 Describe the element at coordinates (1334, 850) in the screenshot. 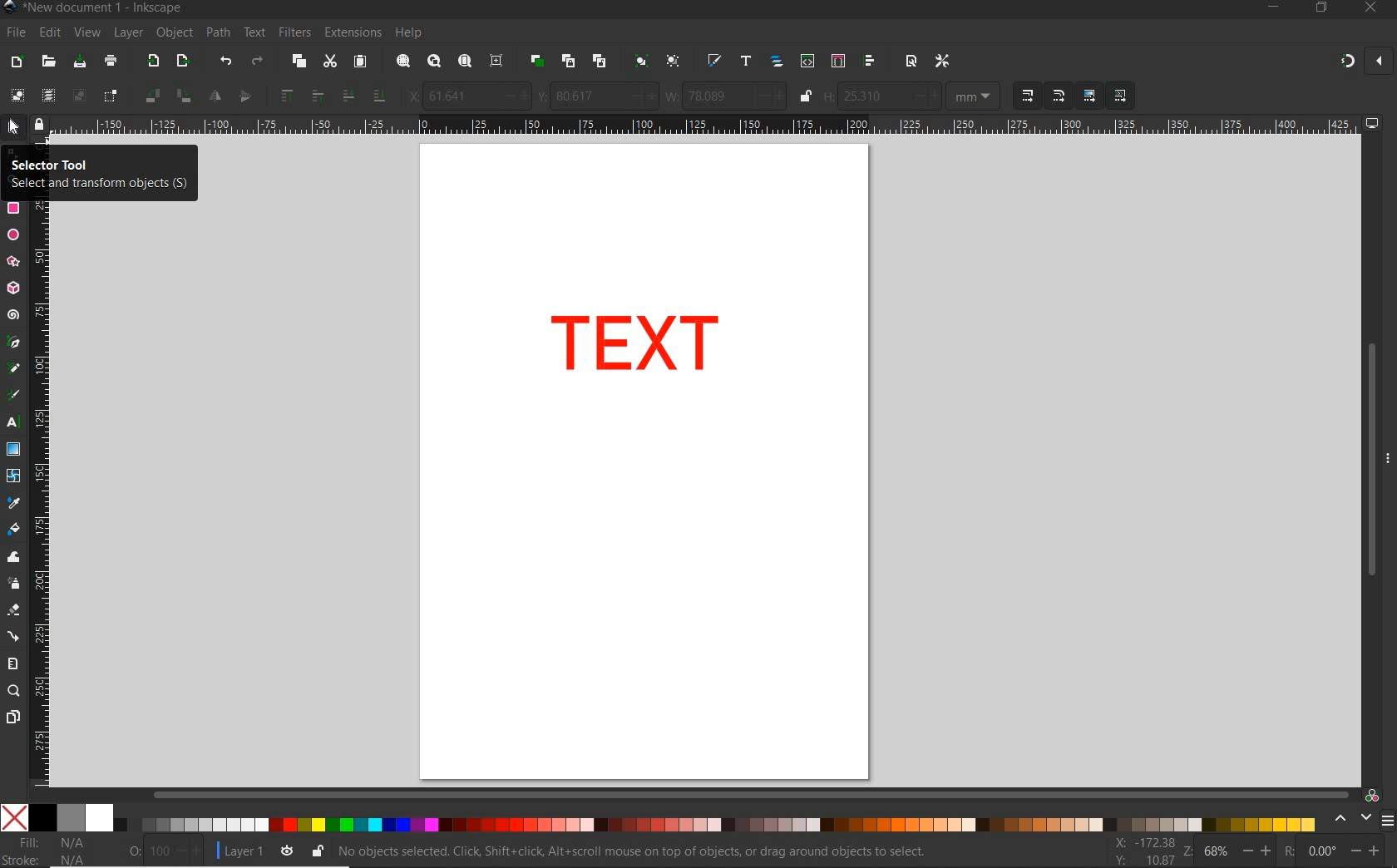

I see `rotation` at that location.